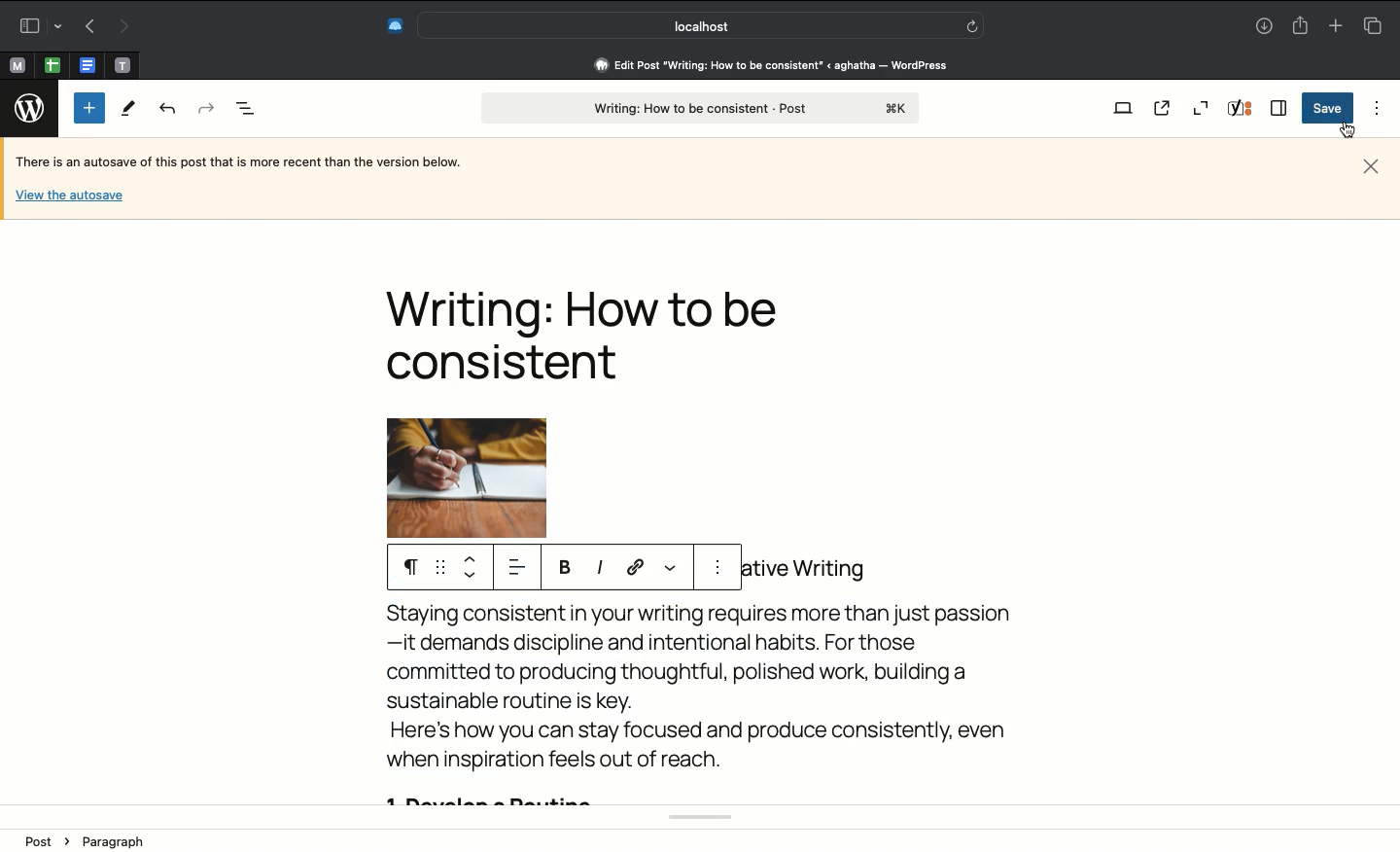  Describe the element at coordinates (1279, 108) in the screenshot. I see `Sidebar` at that location.